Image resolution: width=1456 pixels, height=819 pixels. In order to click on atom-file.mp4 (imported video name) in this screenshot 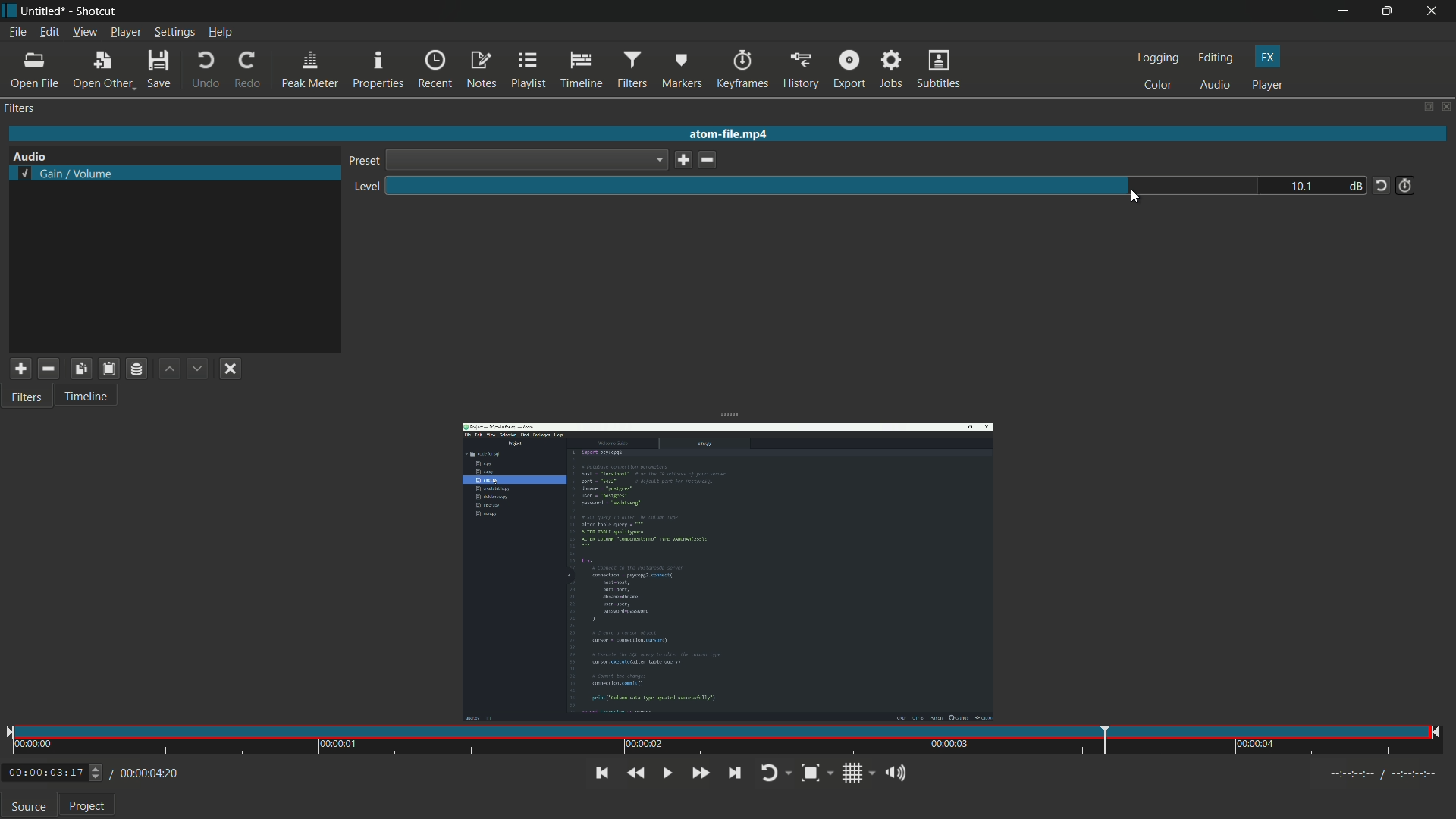, I will do `click(732, 135)`.